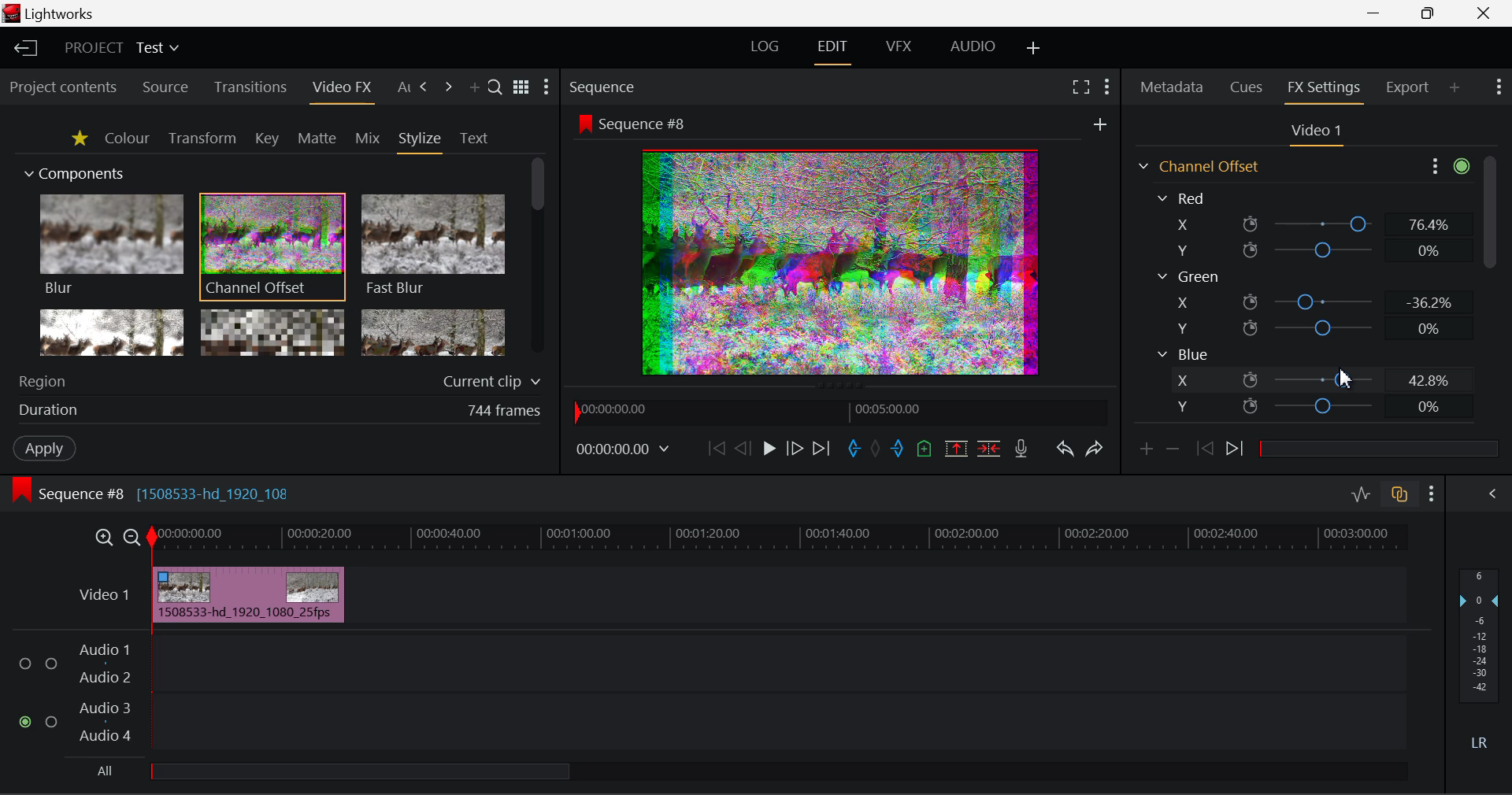  What do you see at coordinates (425, 87) in the screenshot?
I see `Next Tab` at bounding box center [425, 87].